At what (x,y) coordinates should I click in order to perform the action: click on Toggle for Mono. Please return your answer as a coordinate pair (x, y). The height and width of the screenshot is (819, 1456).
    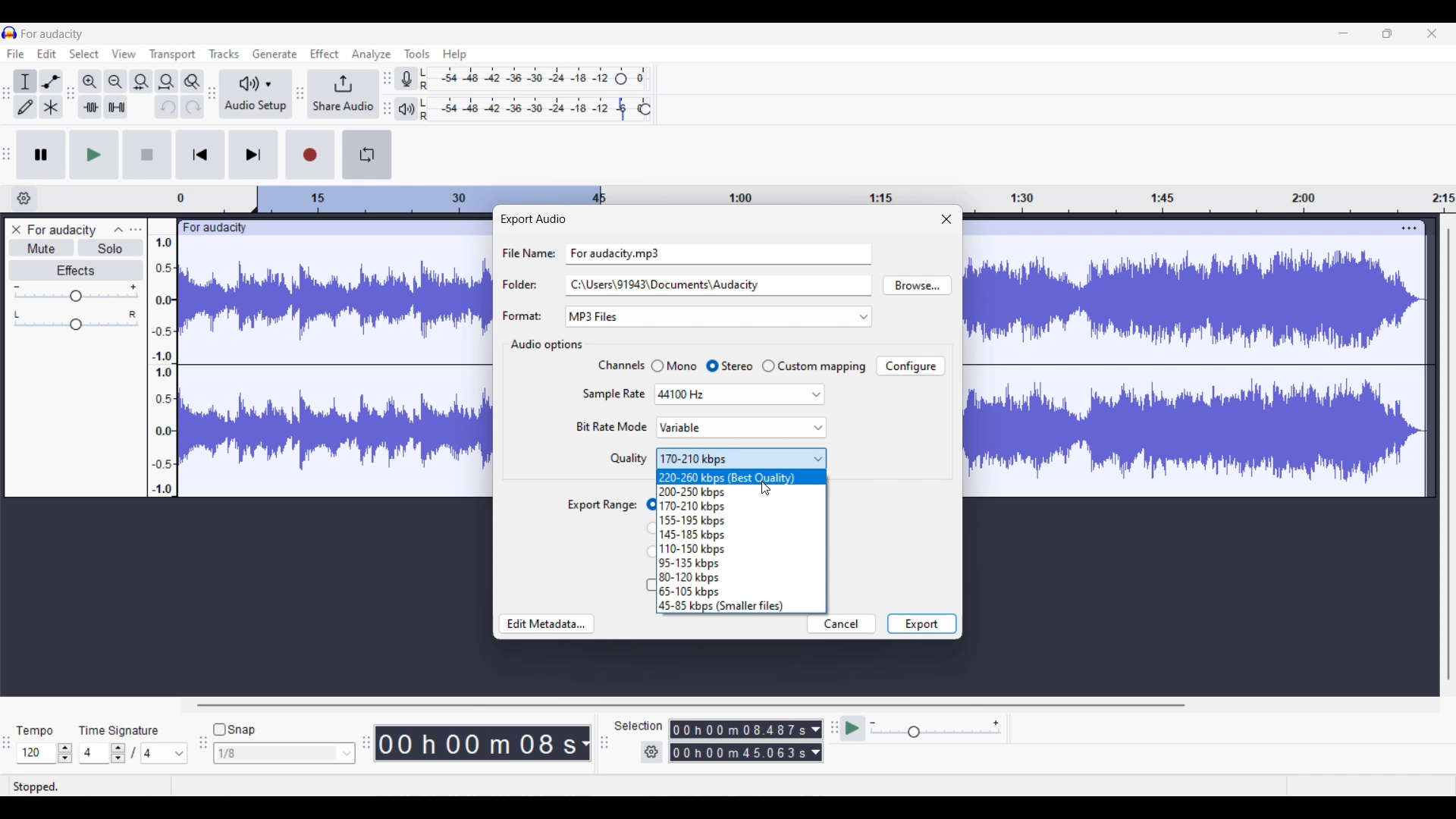
    Looking at the image, I should click on (673, 366).